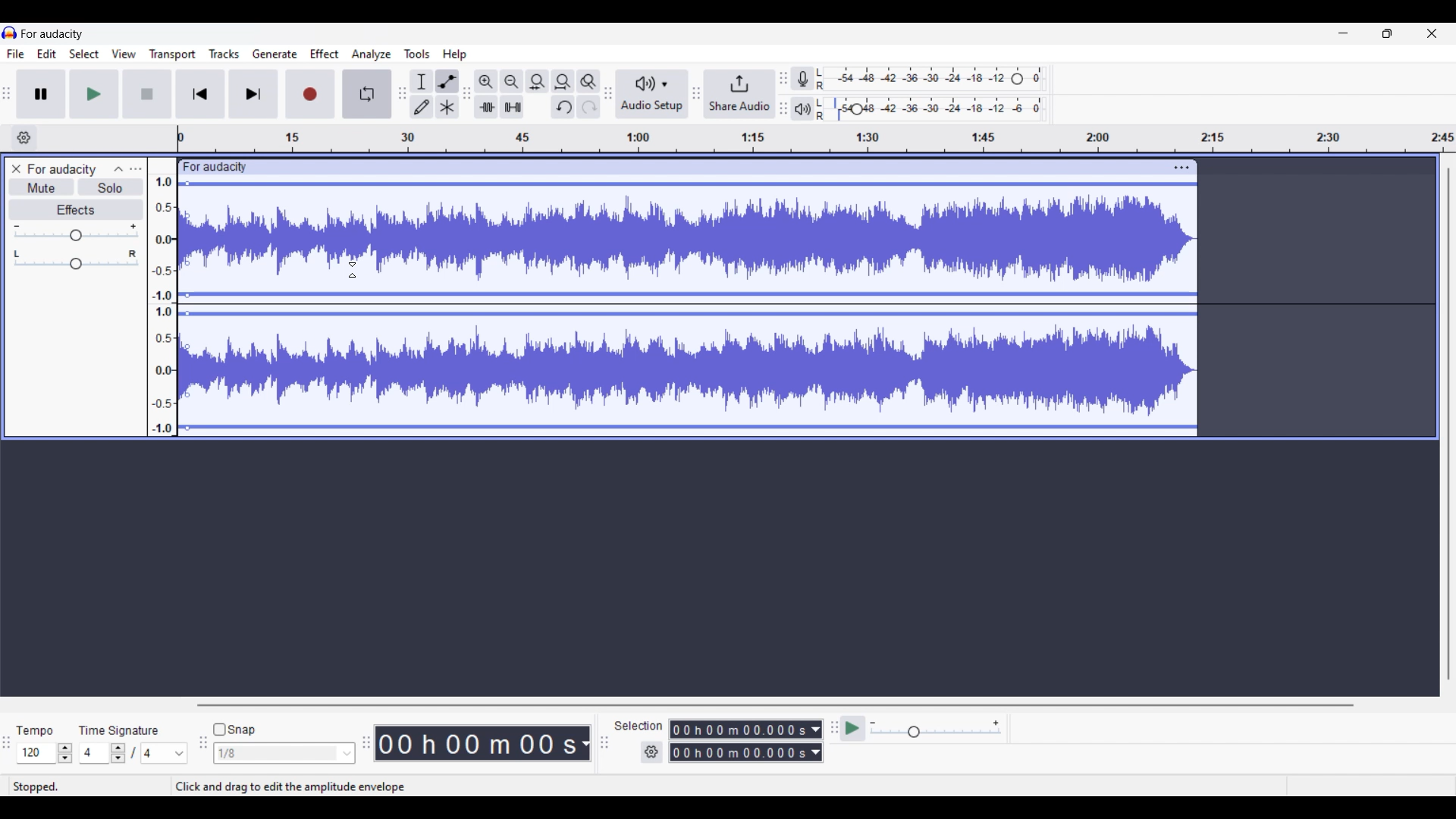 The width and height of the screenshot is (1456, 819). Describe the element at coordinates (638, 725) in the screenshot. I see `selection` at that location.